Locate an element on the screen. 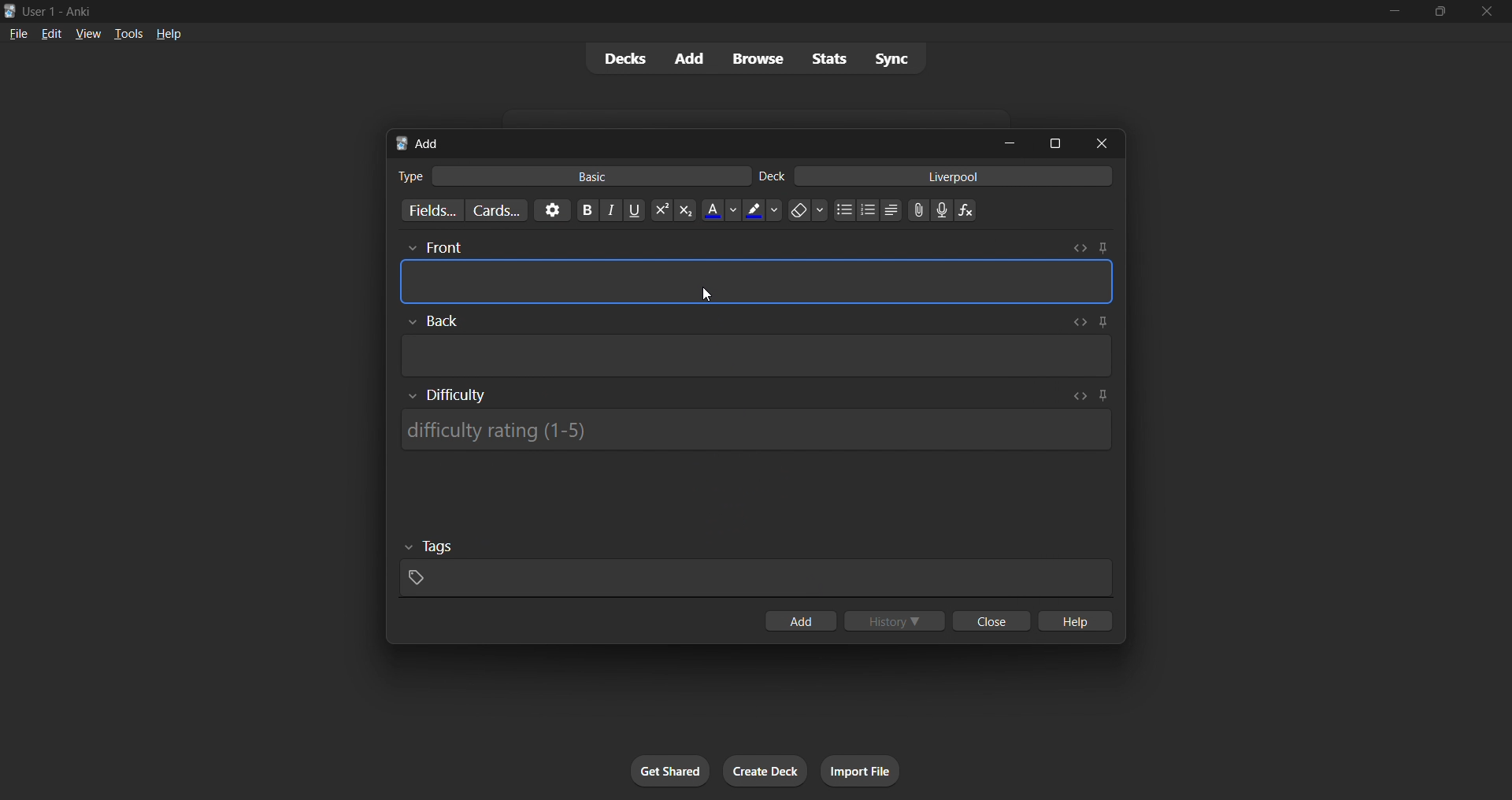 The width and height of the screenshot is (1512, 800). Text is located at coordinates (772, 176).